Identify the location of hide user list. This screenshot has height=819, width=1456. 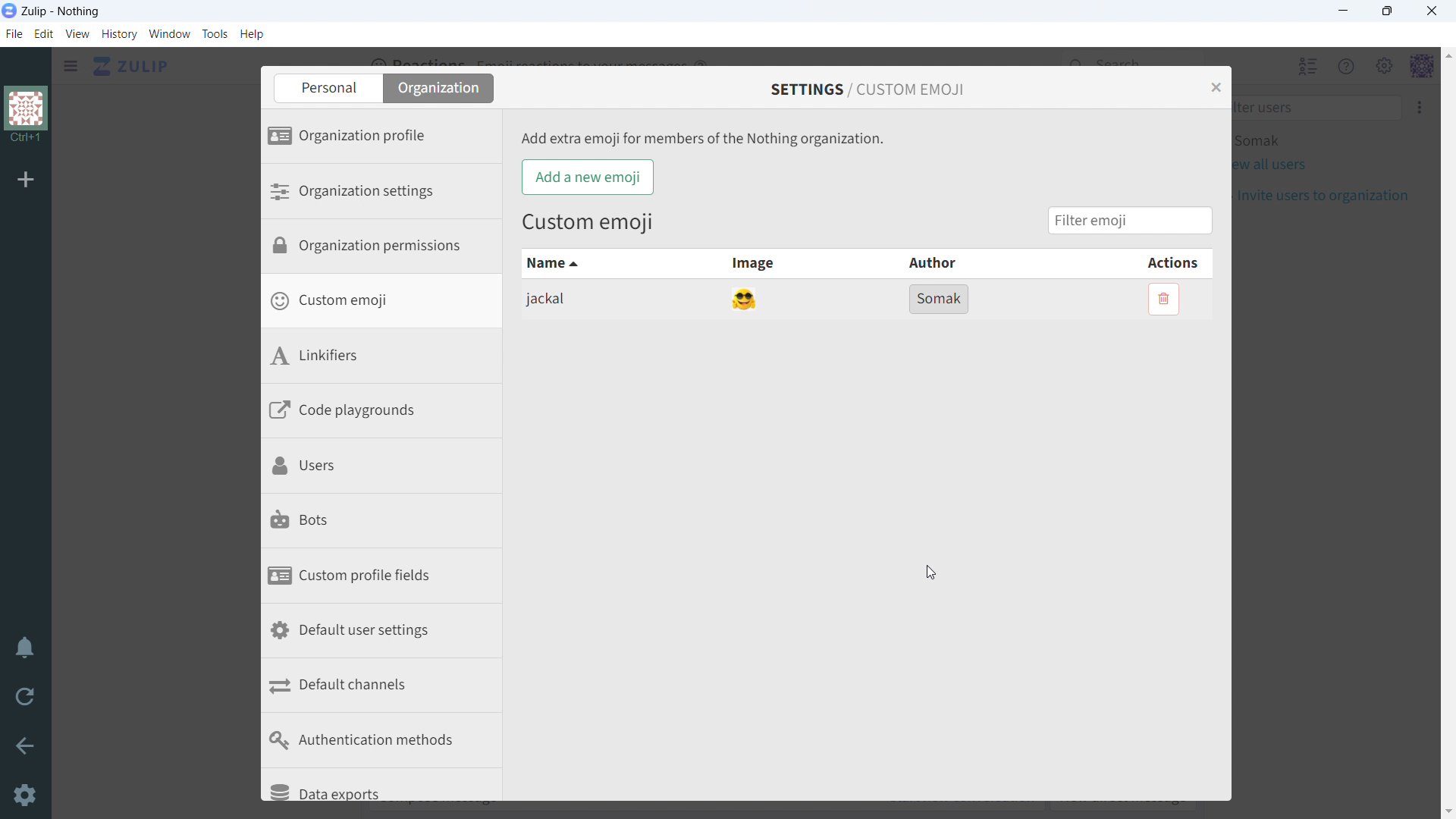
(1307, 65).